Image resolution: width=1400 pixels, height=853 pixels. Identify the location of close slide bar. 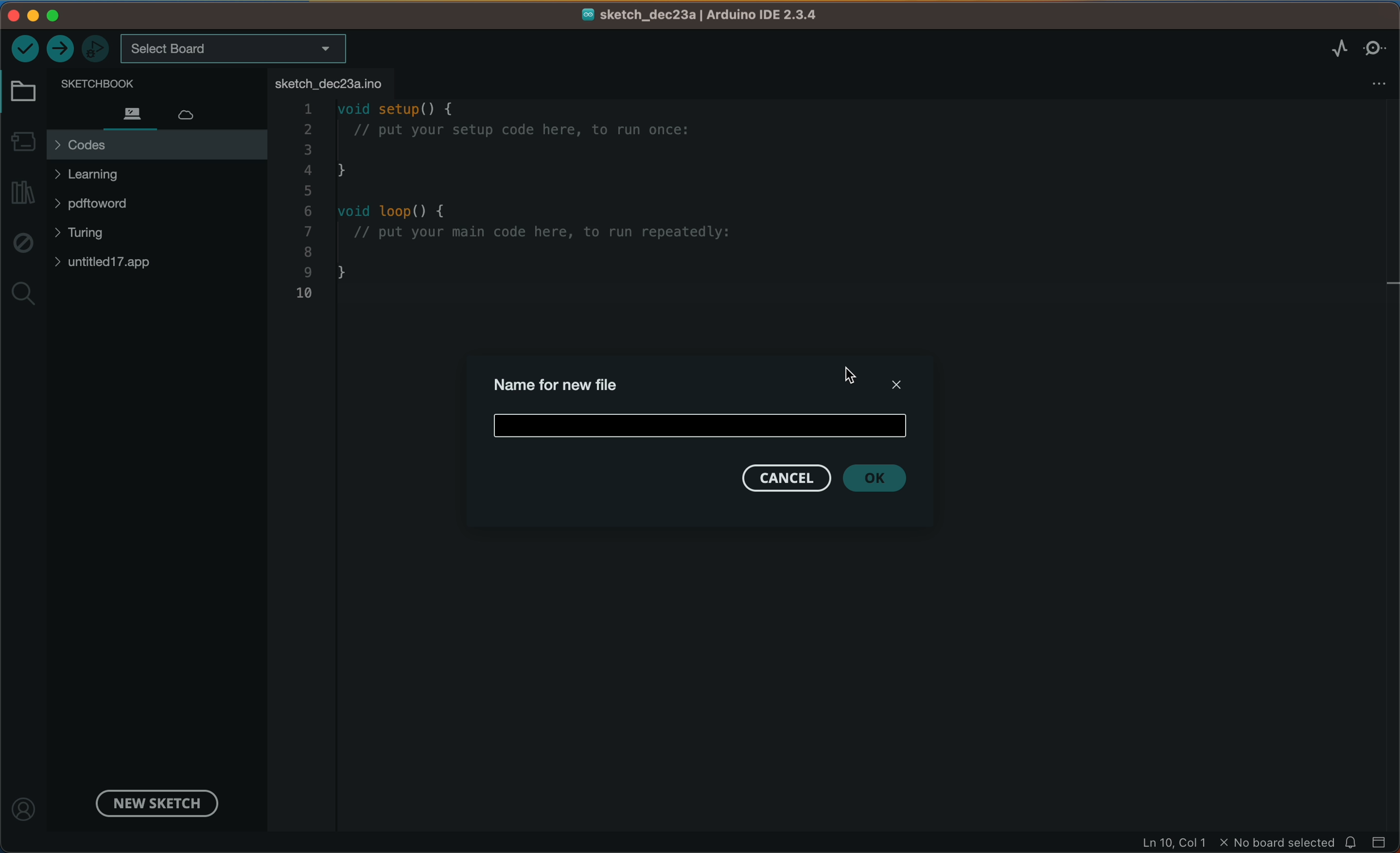
(1380, 841).